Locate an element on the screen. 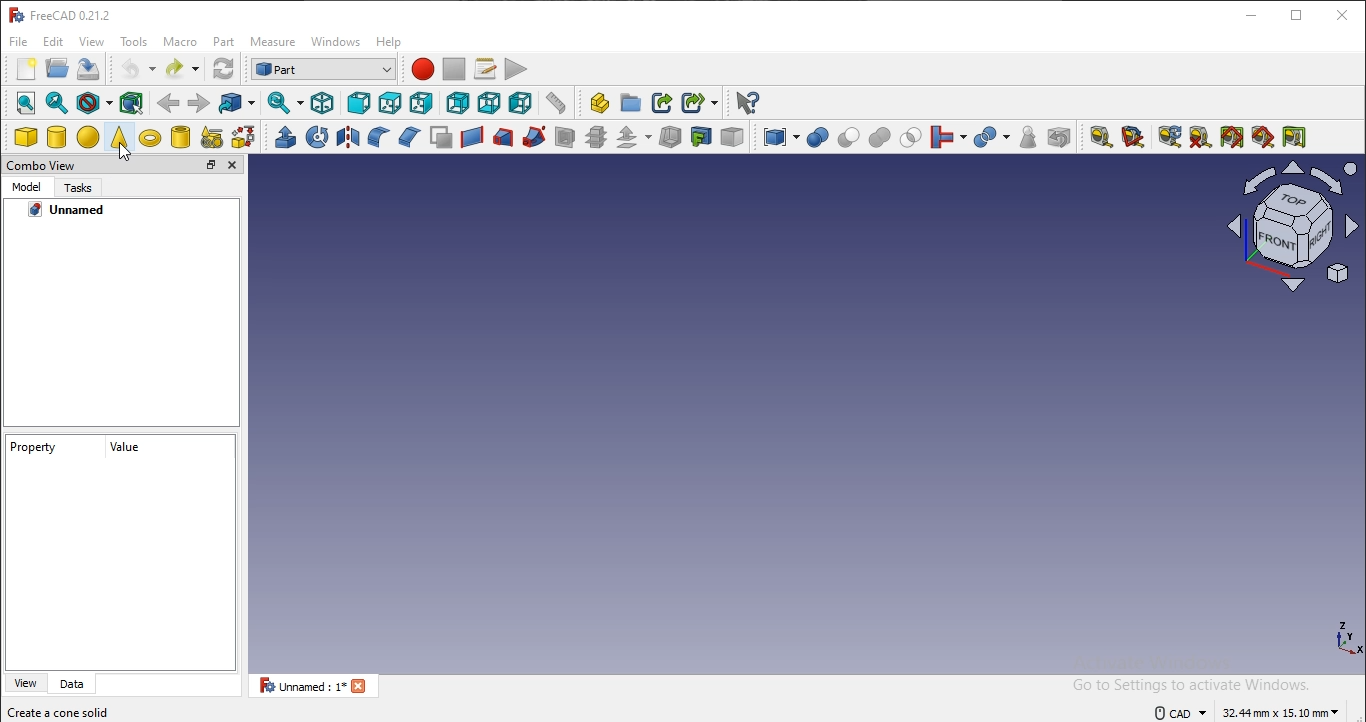 The image size is (1366, 722). clear all is located at coordinates (1198, 139).